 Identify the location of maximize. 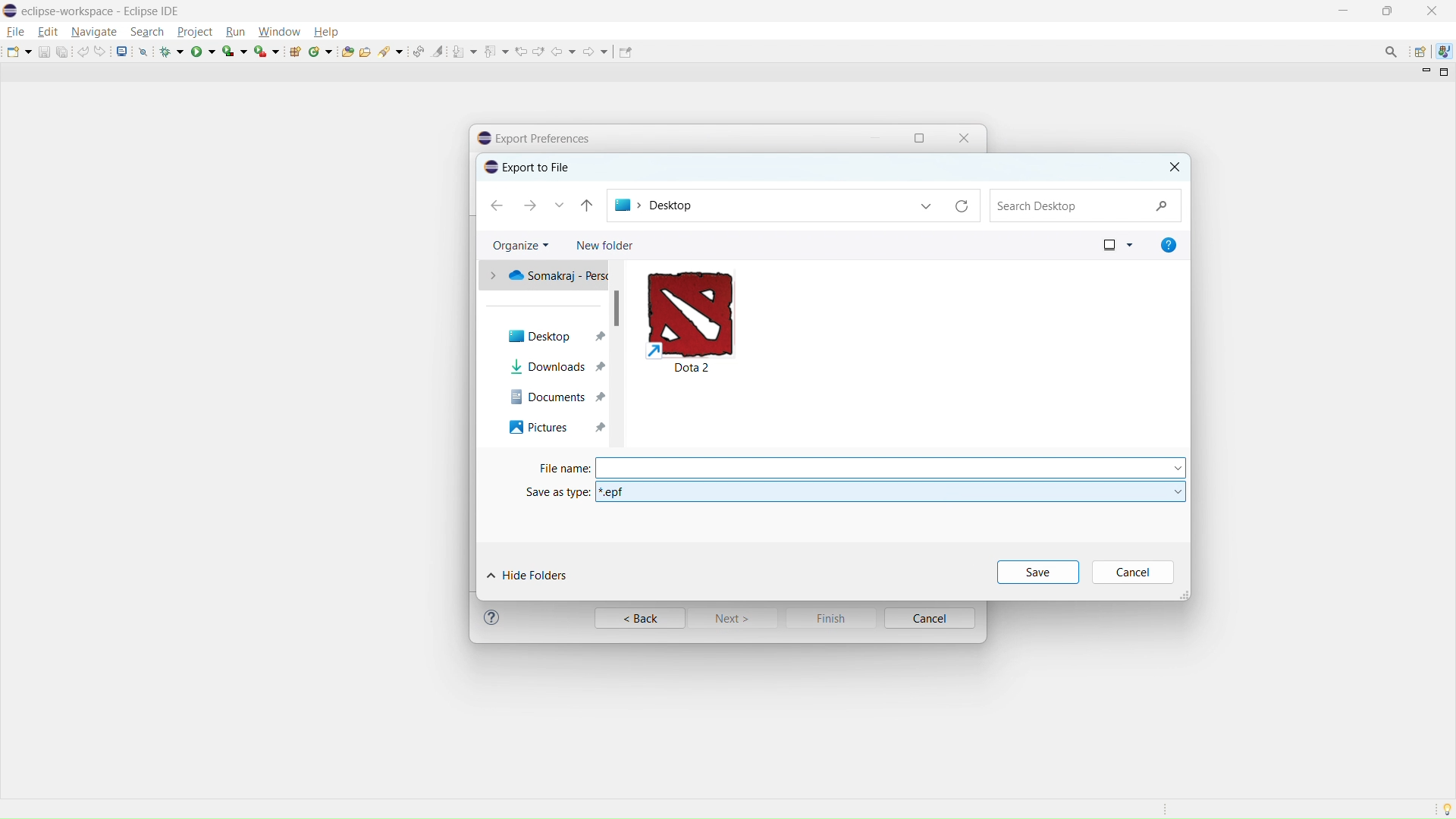
(1387, 11).